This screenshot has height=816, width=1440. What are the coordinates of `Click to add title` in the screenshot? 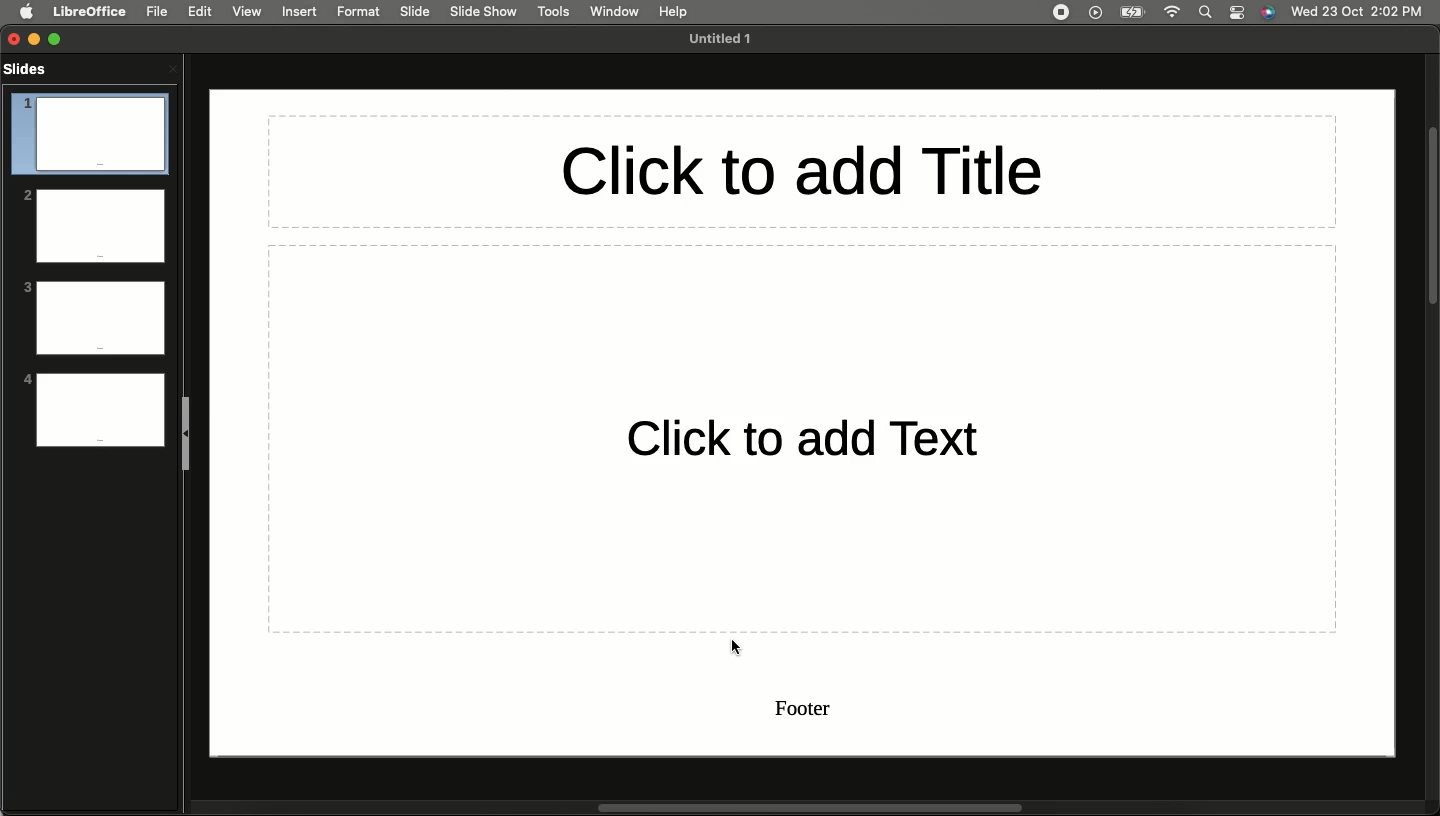 It's located at (800, 171).